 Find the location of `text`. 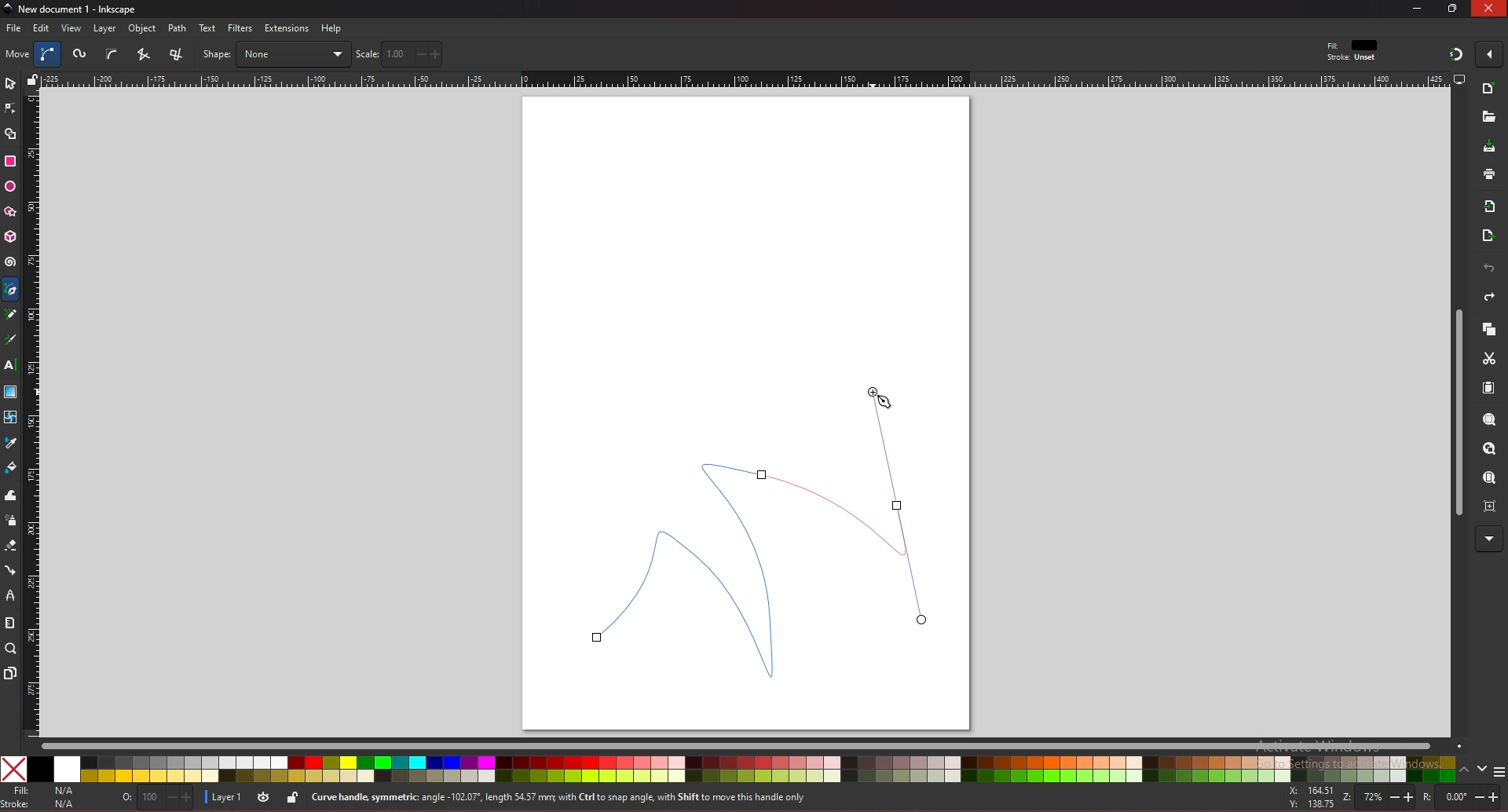

text is located at coordinates (207, 28).